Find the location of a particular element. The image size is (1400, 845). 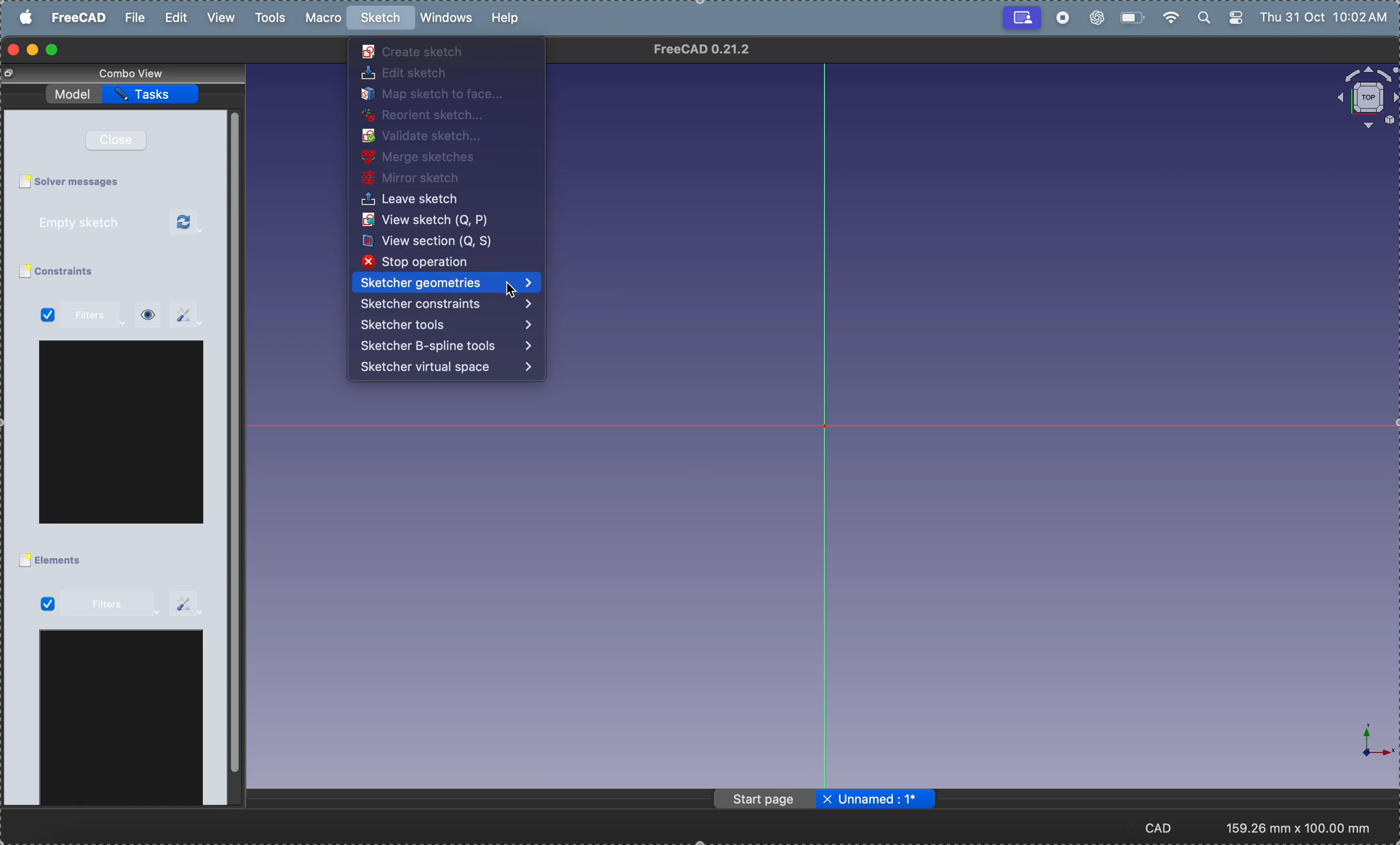

refresh is located at coordinates (188, 223).